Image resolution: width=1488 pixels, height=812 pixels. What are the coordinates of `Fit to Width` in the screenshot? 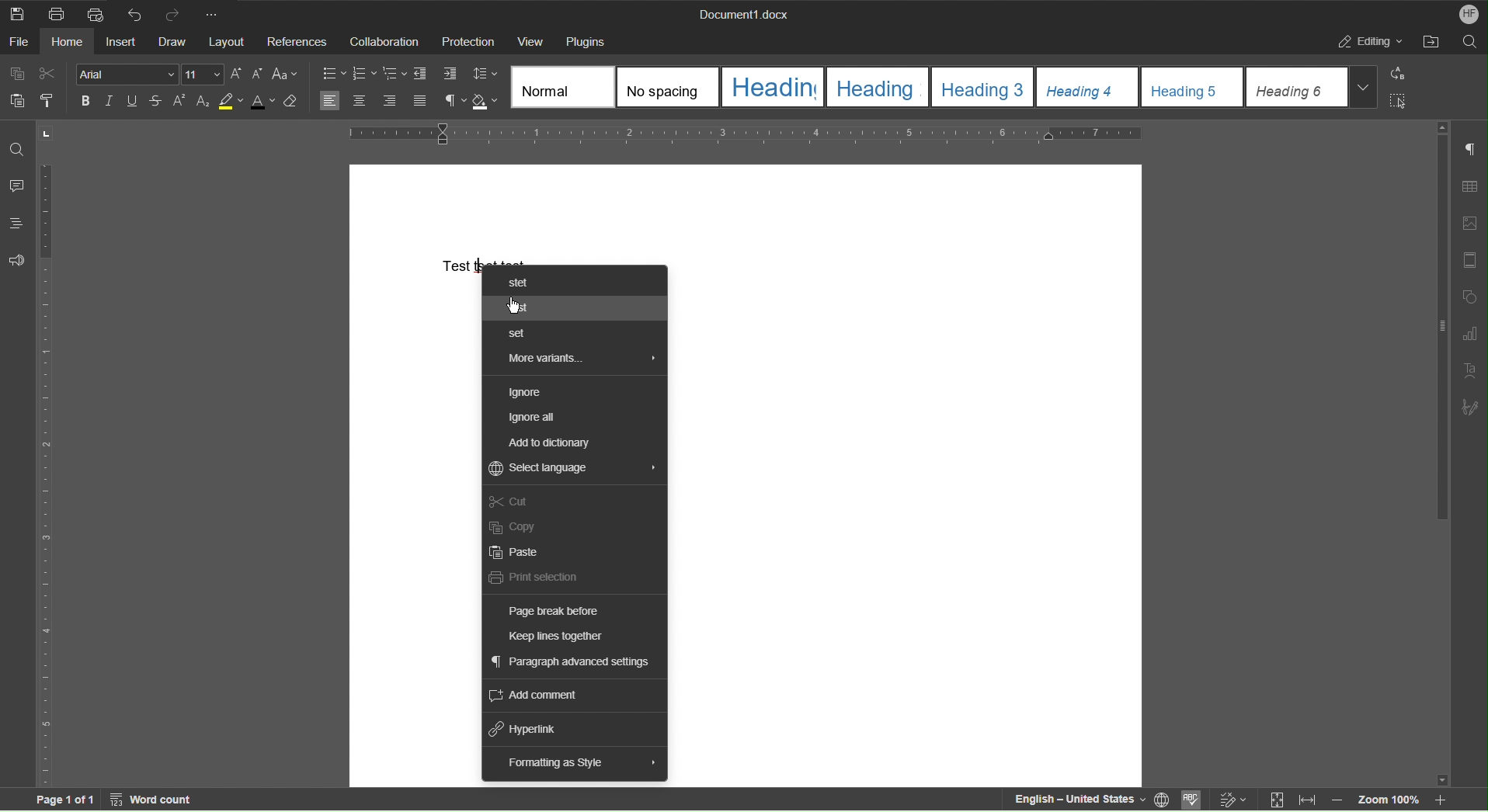 It's located at (1304, 800).